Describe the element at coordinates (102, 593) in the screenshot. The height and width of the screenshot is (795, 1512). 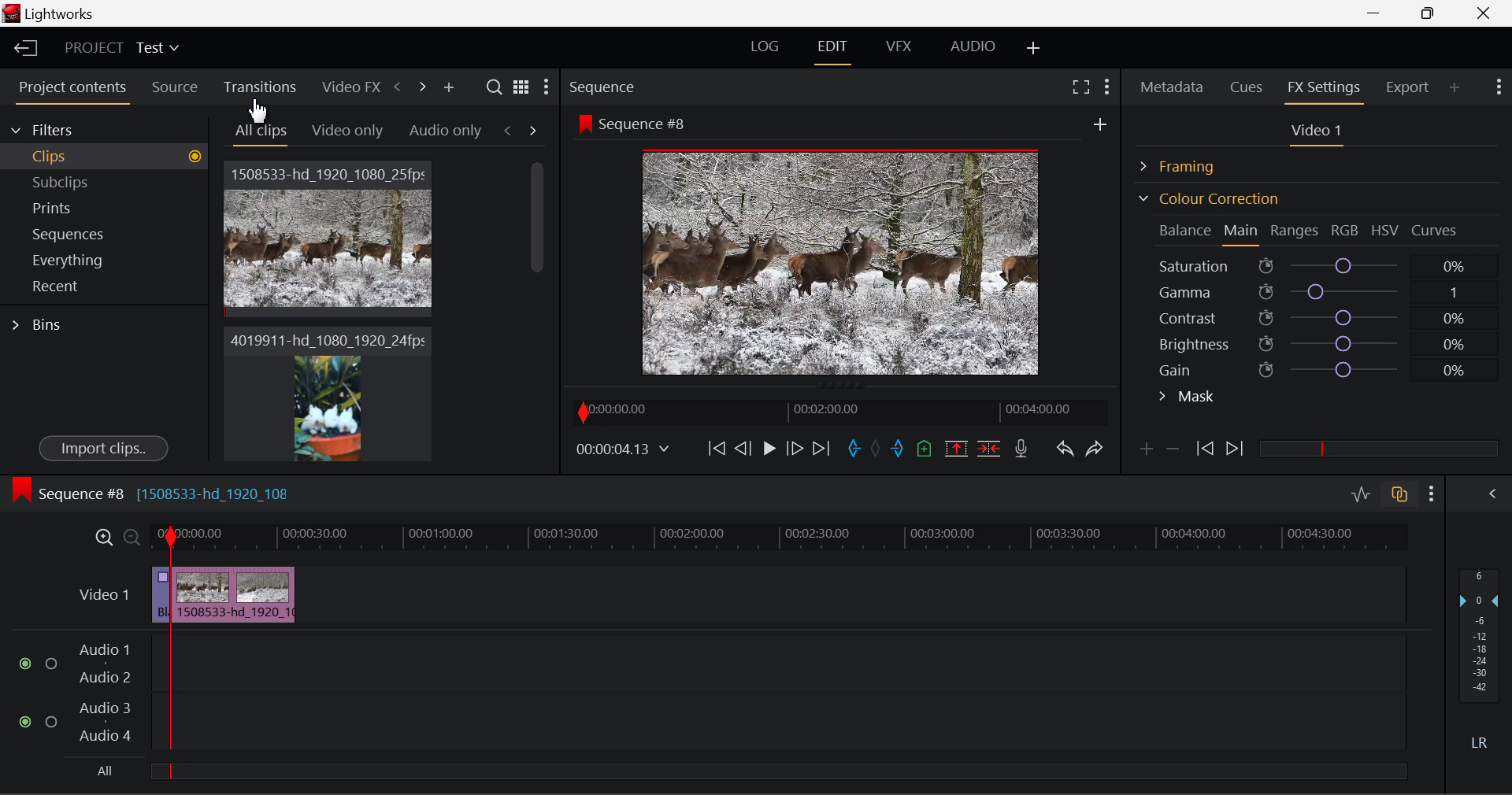
I see `Video 1` at that location.